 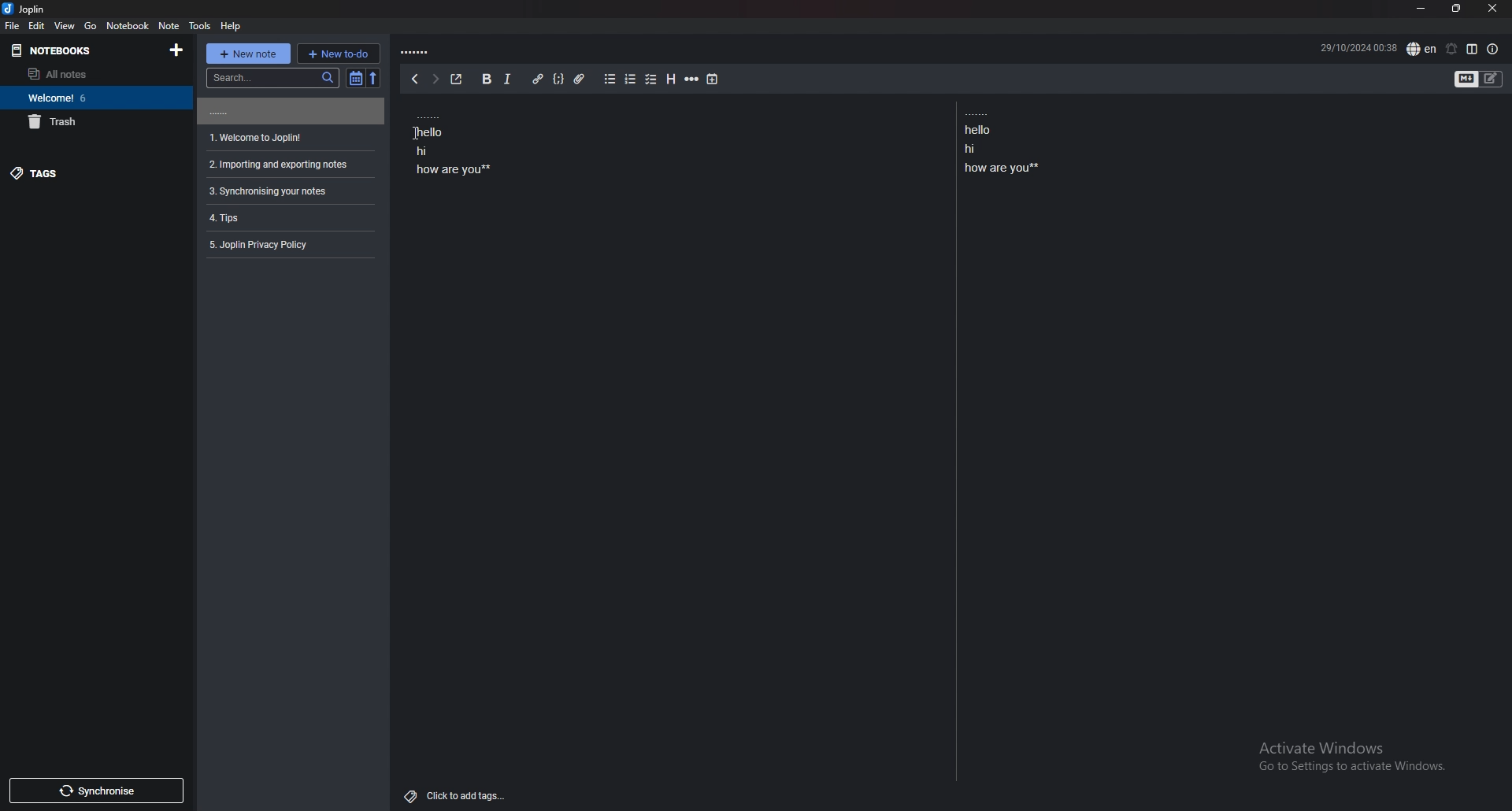 What do you see at coordinates (26, 9) in the screenshot?
I see `joplin` at bounding box center [26, 9].